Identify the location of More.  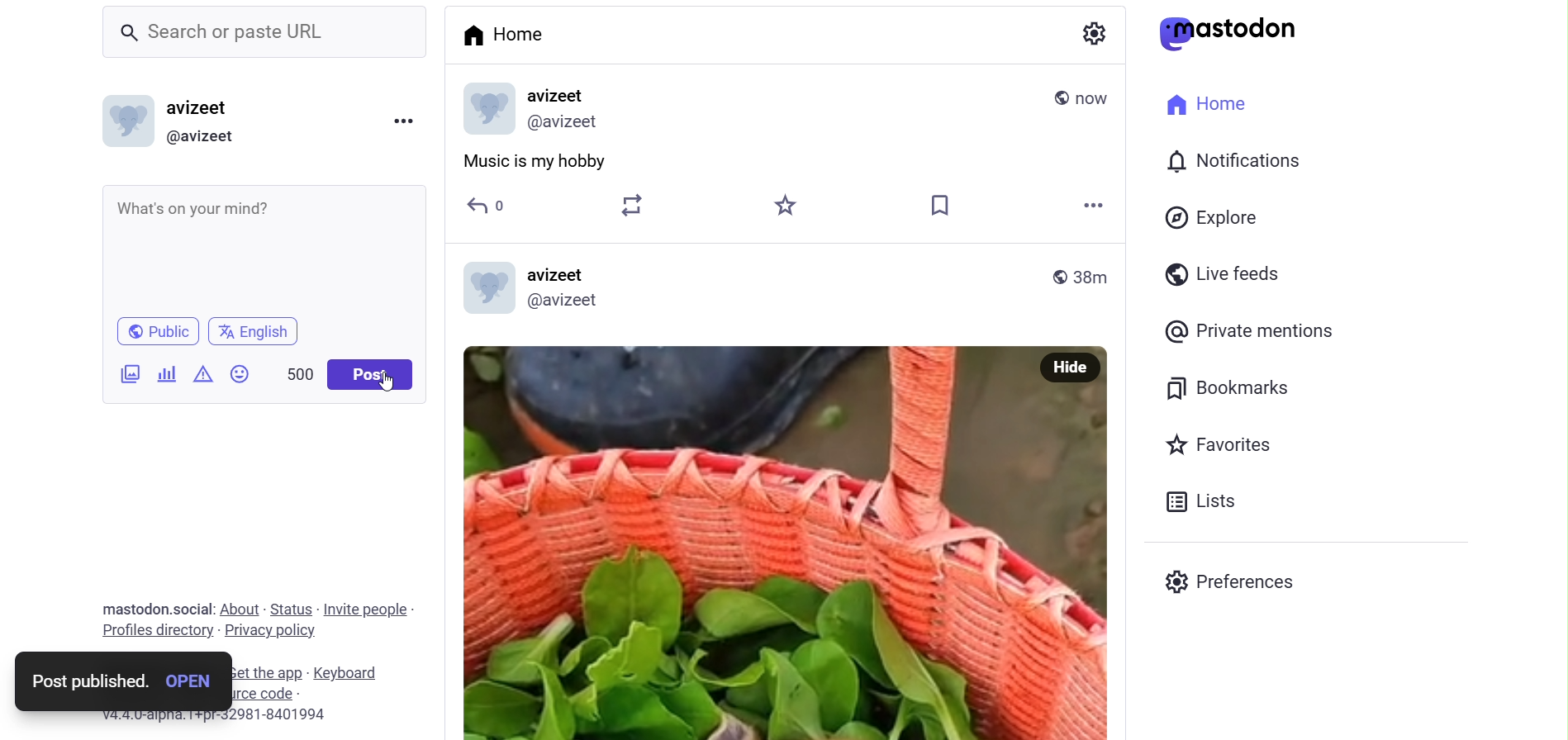
(1094, 204).